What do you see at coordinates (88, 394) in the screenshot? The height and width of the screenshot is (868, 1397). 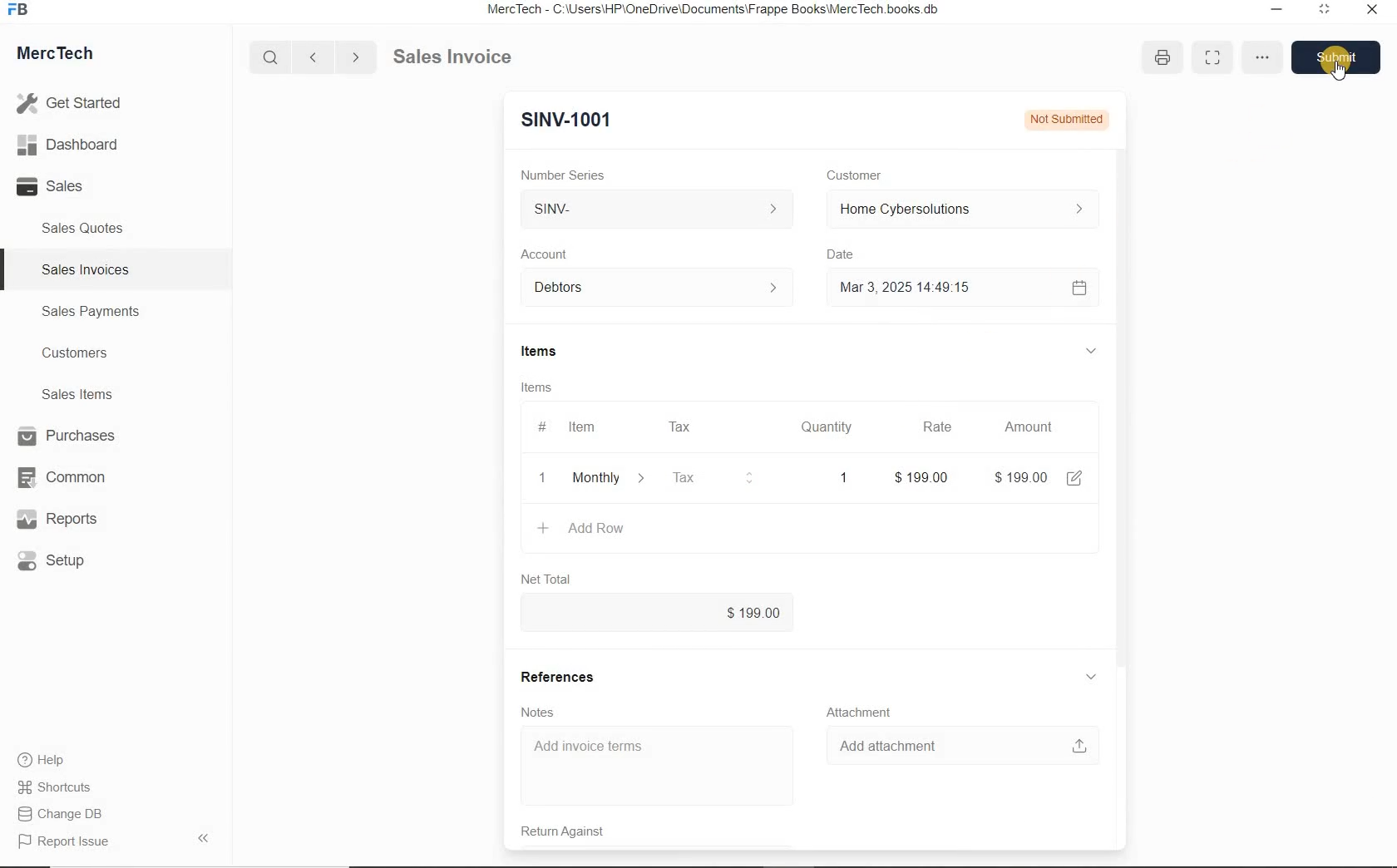 I see `Sales Items` at bounding box center [88, 394].